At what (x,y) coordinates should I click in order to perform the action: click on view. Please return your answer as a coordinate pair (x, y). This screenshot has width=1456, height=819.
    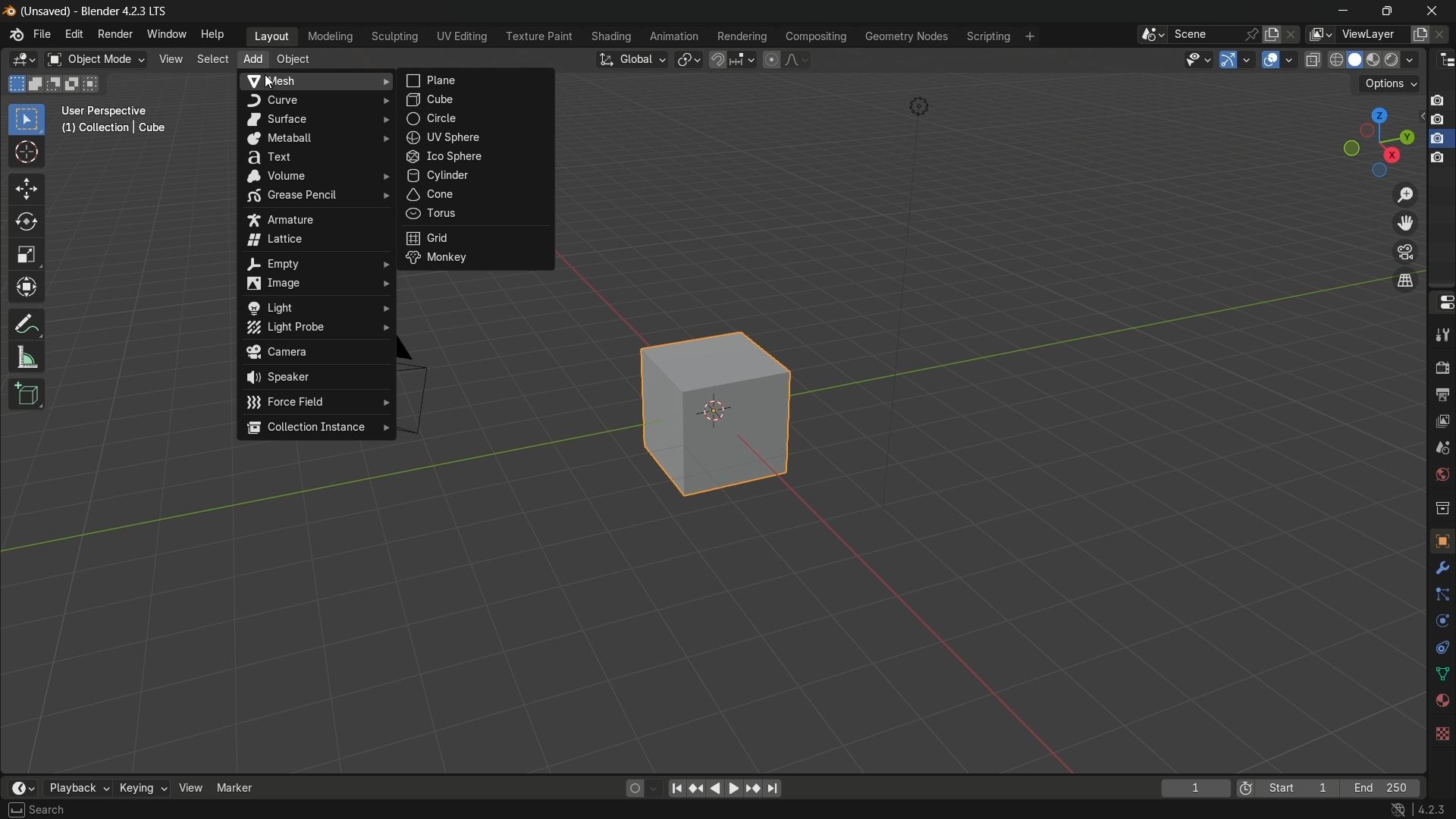
    Looking at the image, I should click on (190, 788).